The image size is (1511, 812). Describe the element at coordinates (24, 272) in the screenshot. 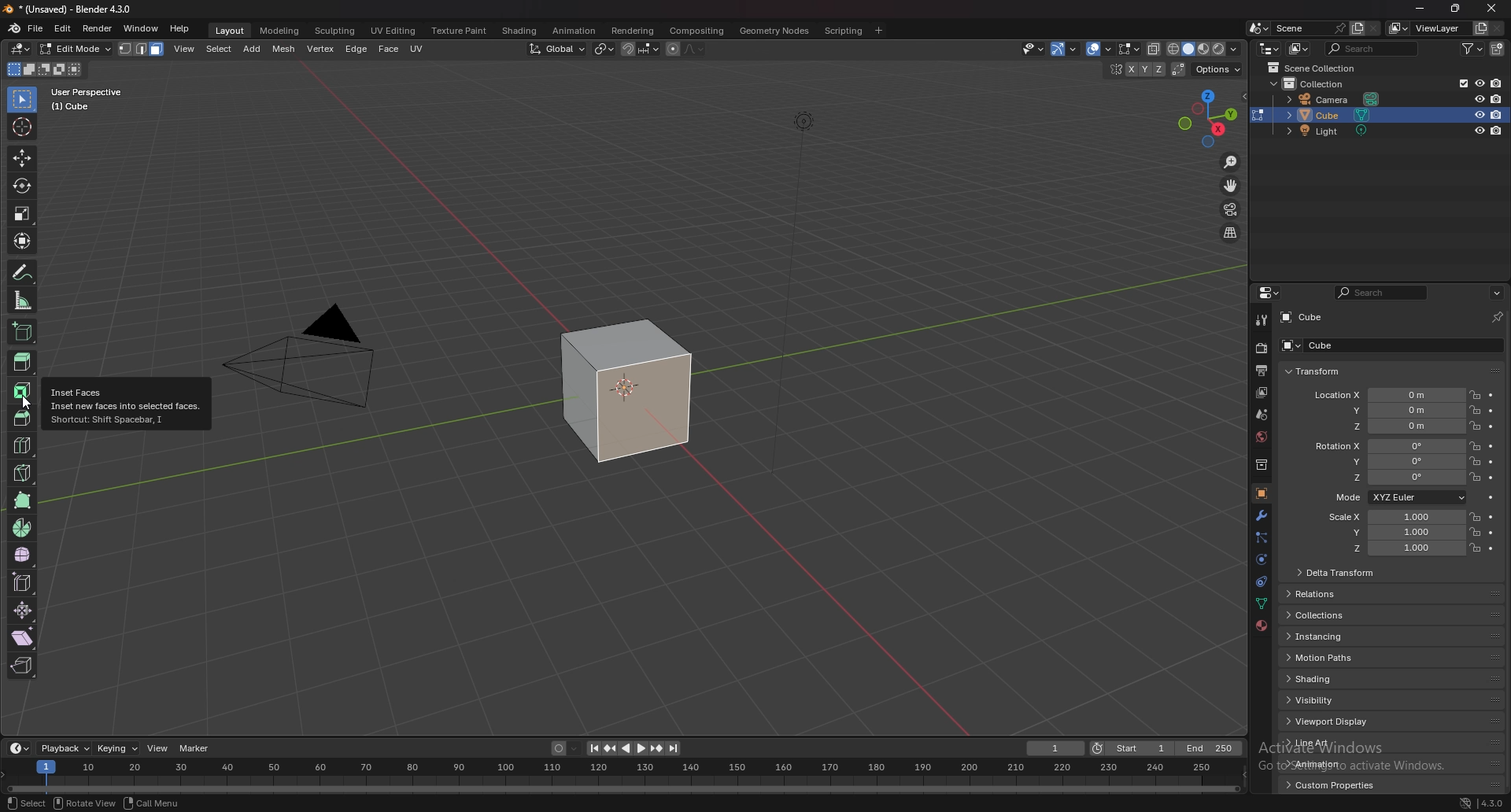

I see `annotate` at that location.